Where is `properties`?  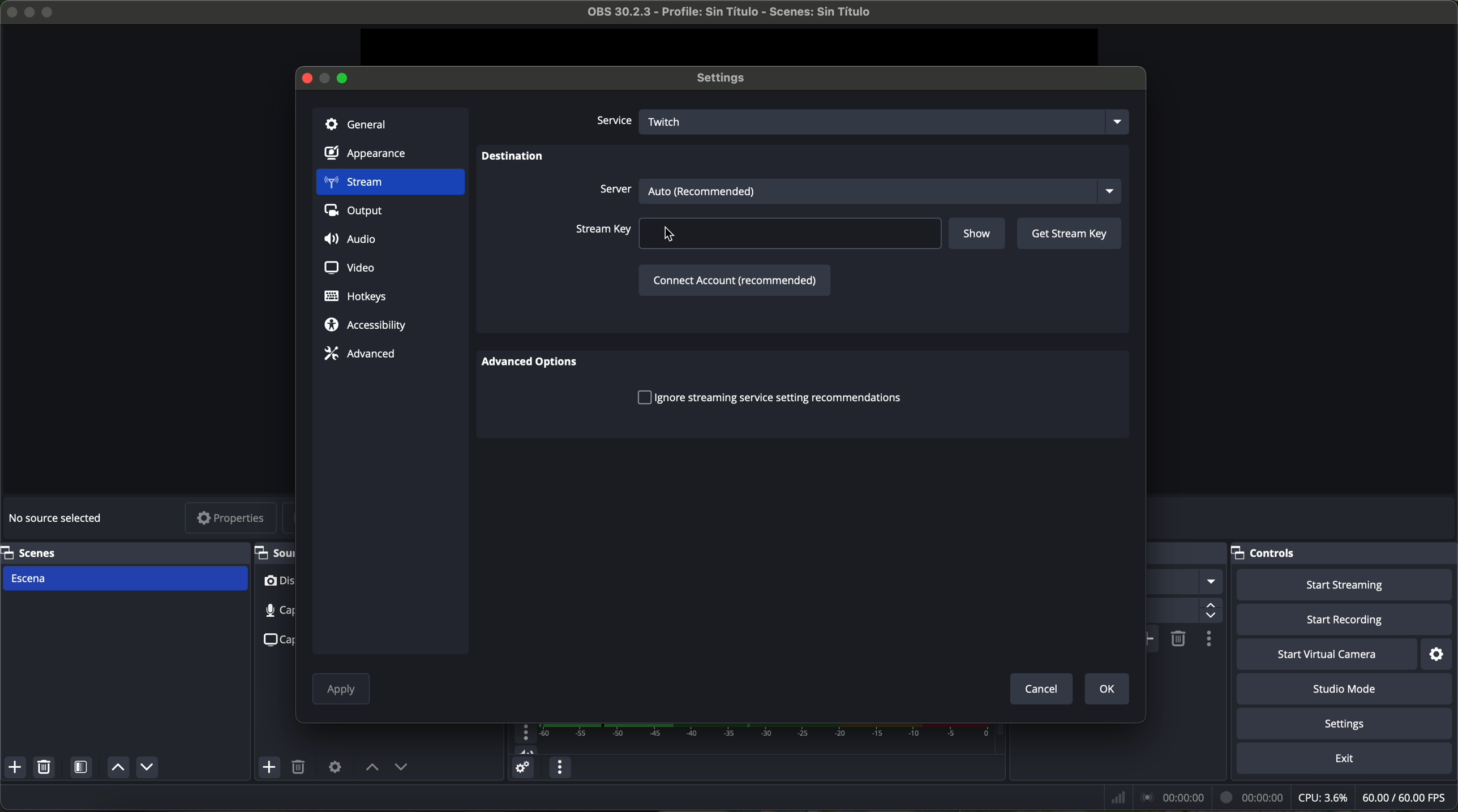
properties is located at coordinates (231, 519).